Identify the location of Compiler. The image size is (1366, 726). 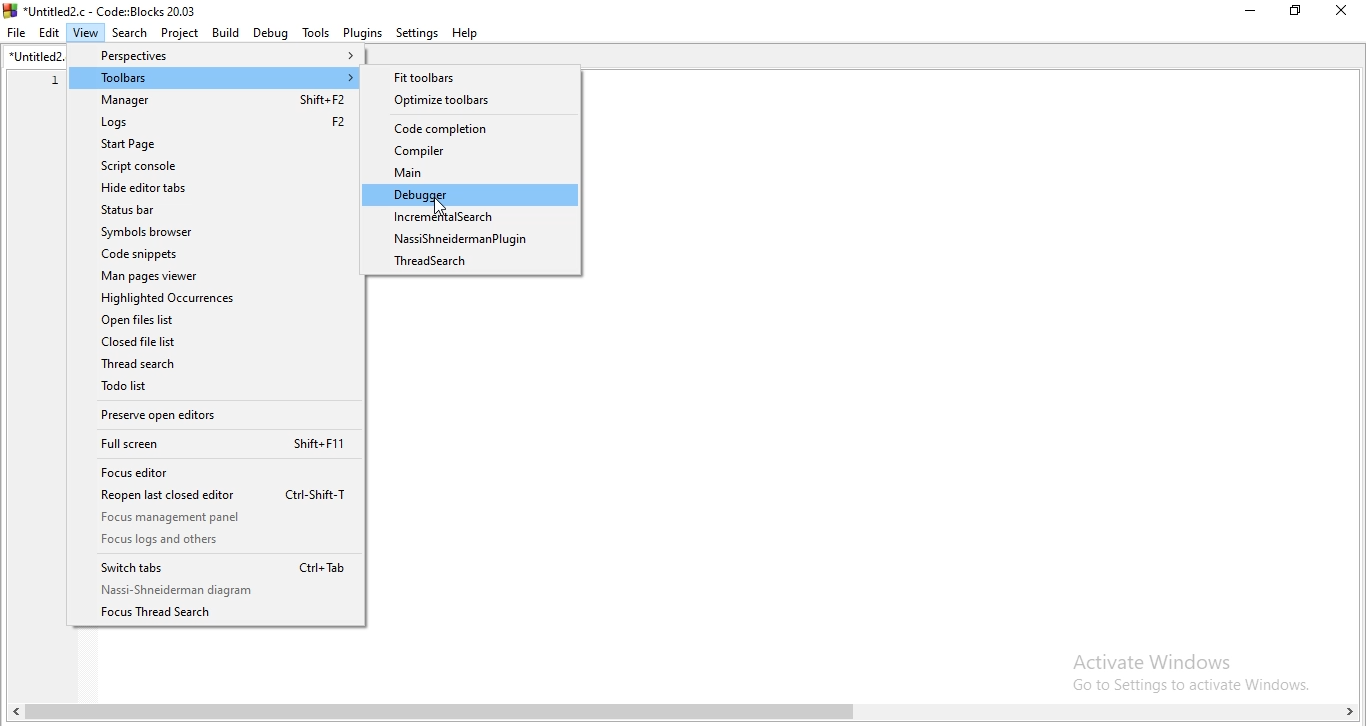
(469, 151).